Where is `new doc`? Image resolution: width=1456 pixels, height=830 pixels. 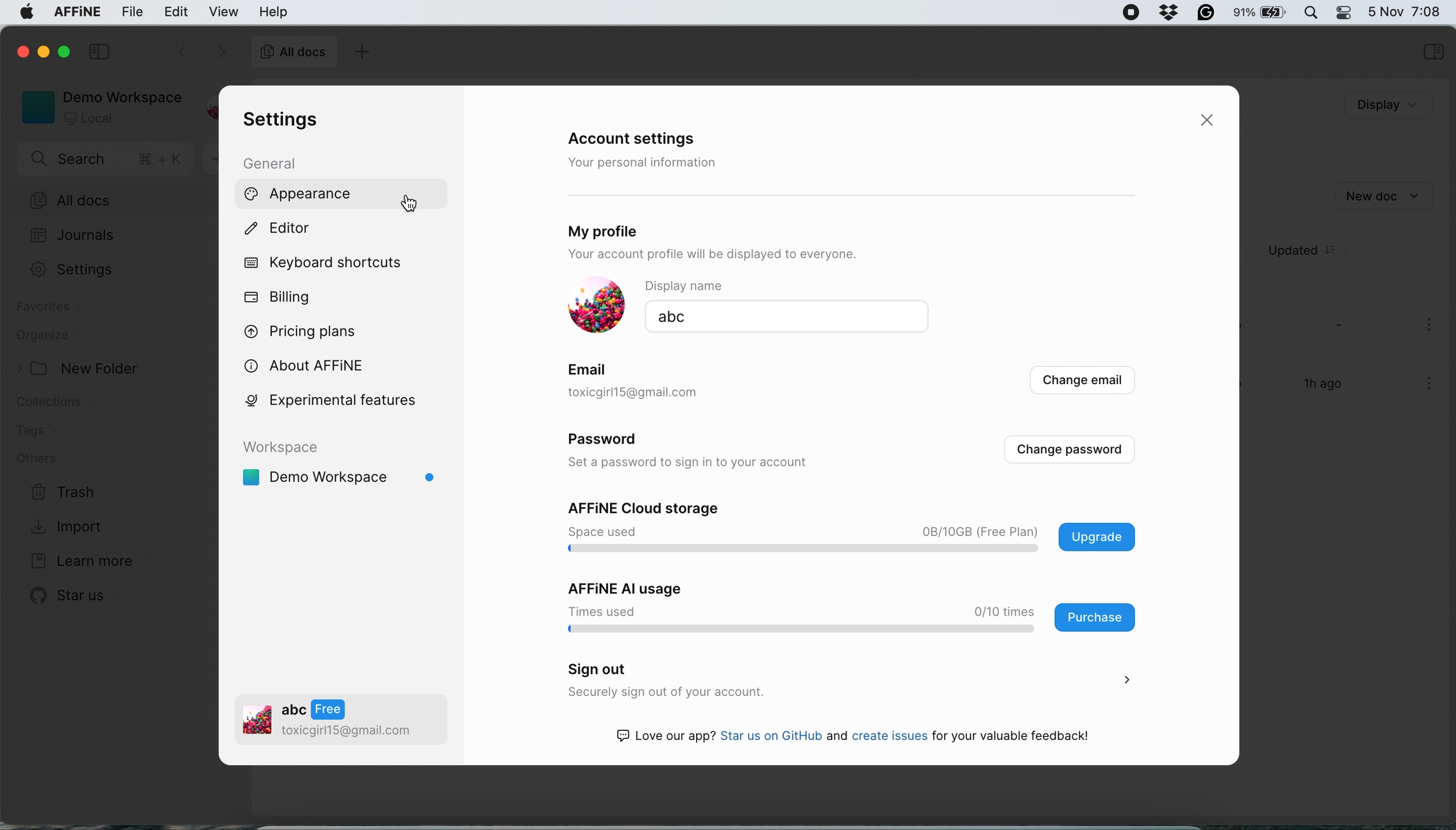 new doc is located at coordinates (1391, 194).